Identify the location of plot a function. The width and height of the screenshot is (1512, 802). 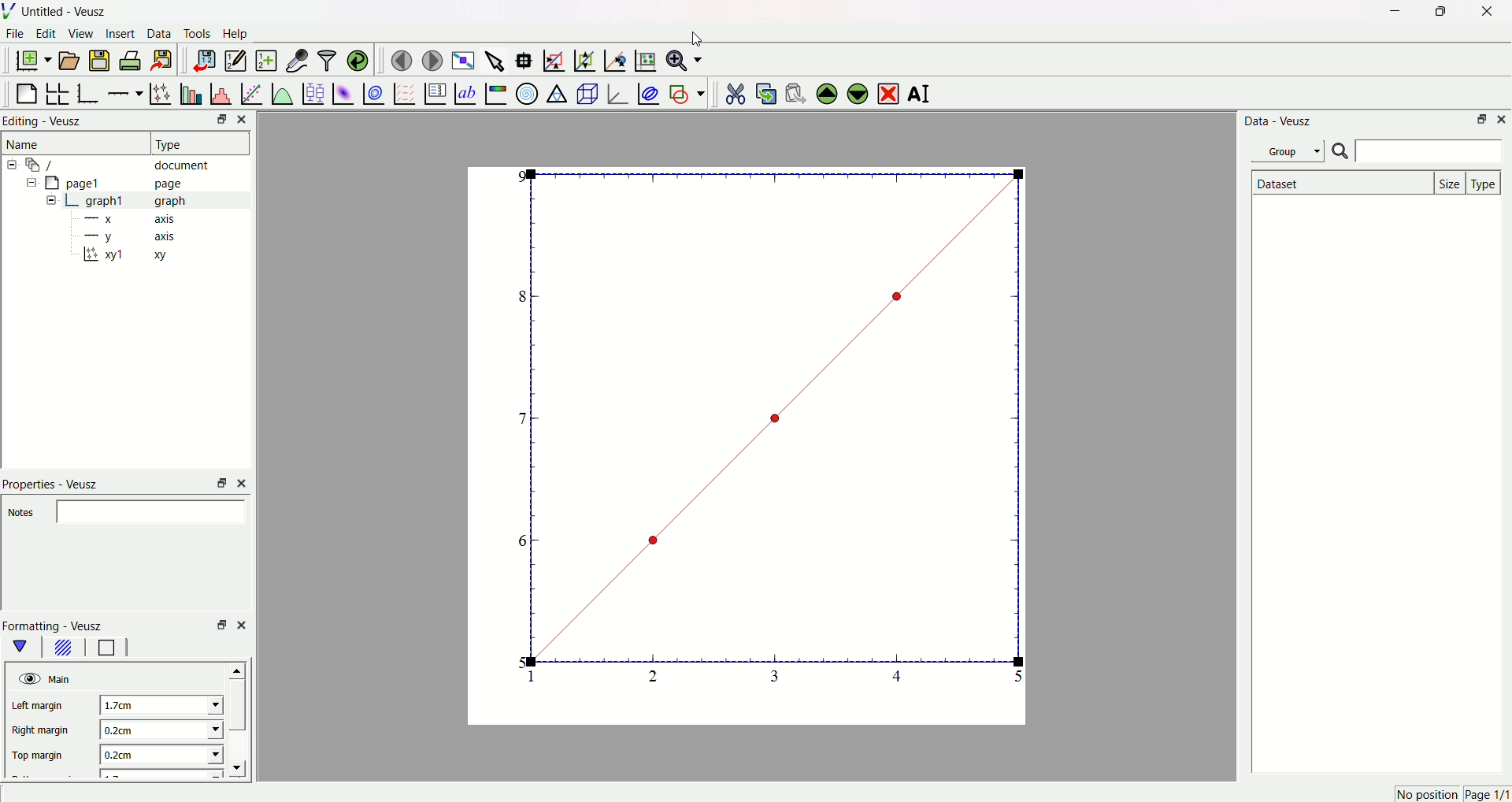
(281, 93).